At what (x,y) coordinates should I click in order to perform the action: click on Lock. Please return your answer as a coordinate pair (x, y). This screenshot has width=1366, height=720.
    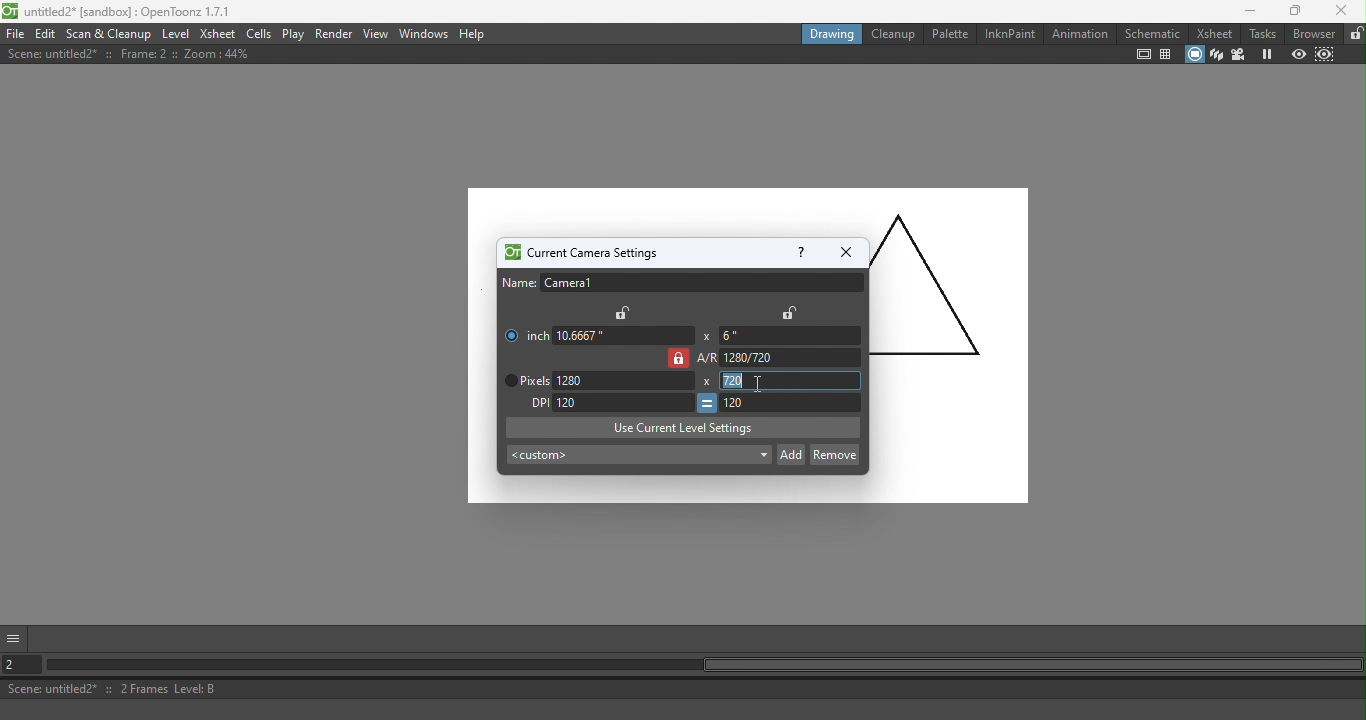
    Looking at the image, I should click on (789, 312).